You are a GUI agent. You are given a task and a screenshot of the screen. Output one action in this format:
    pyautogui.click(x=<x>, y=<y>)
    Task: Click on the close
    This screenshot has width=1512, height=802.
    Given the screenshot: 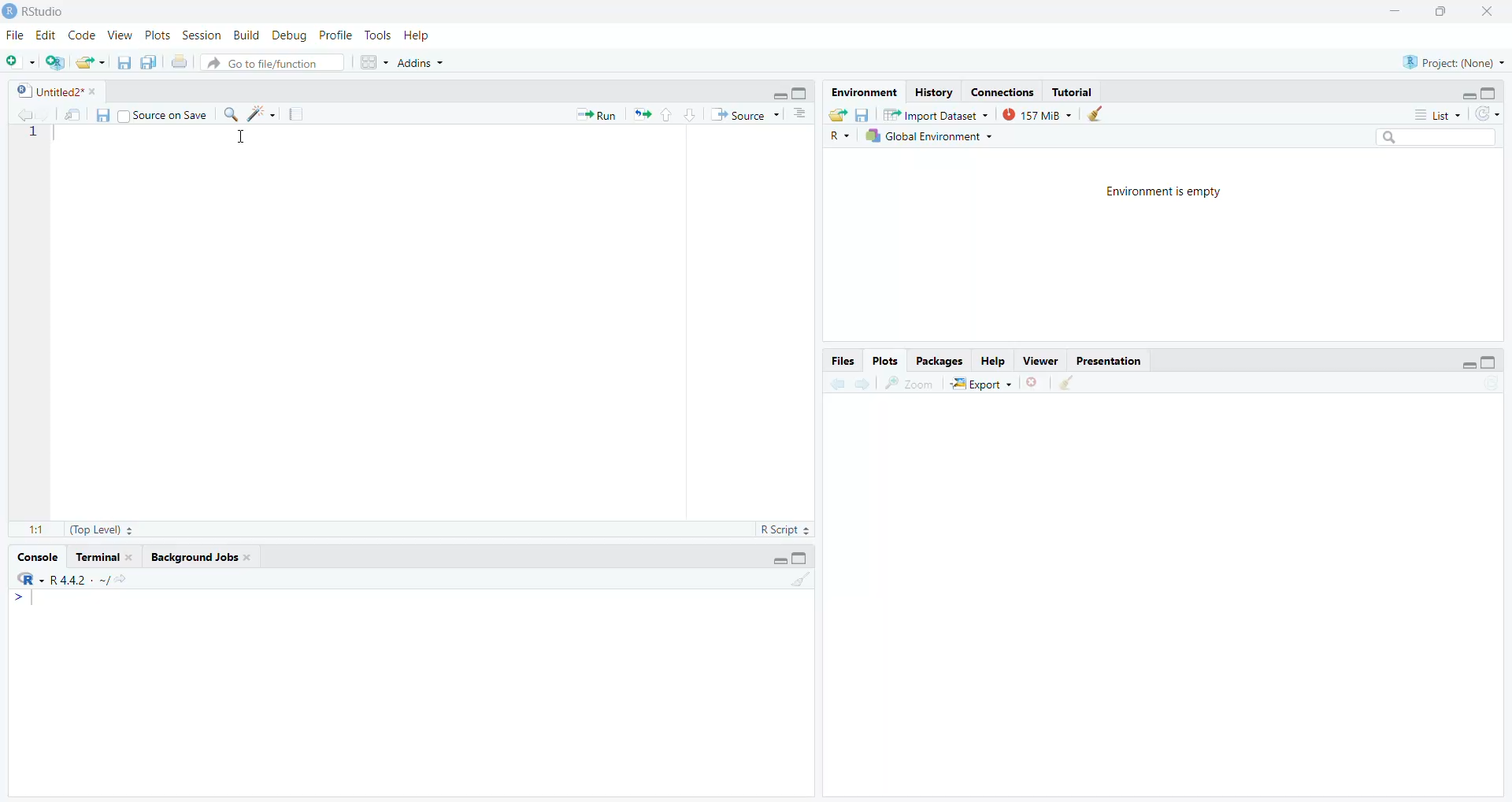 What is the action you would take?
    pyautogui.click(x=249, y=557)
    